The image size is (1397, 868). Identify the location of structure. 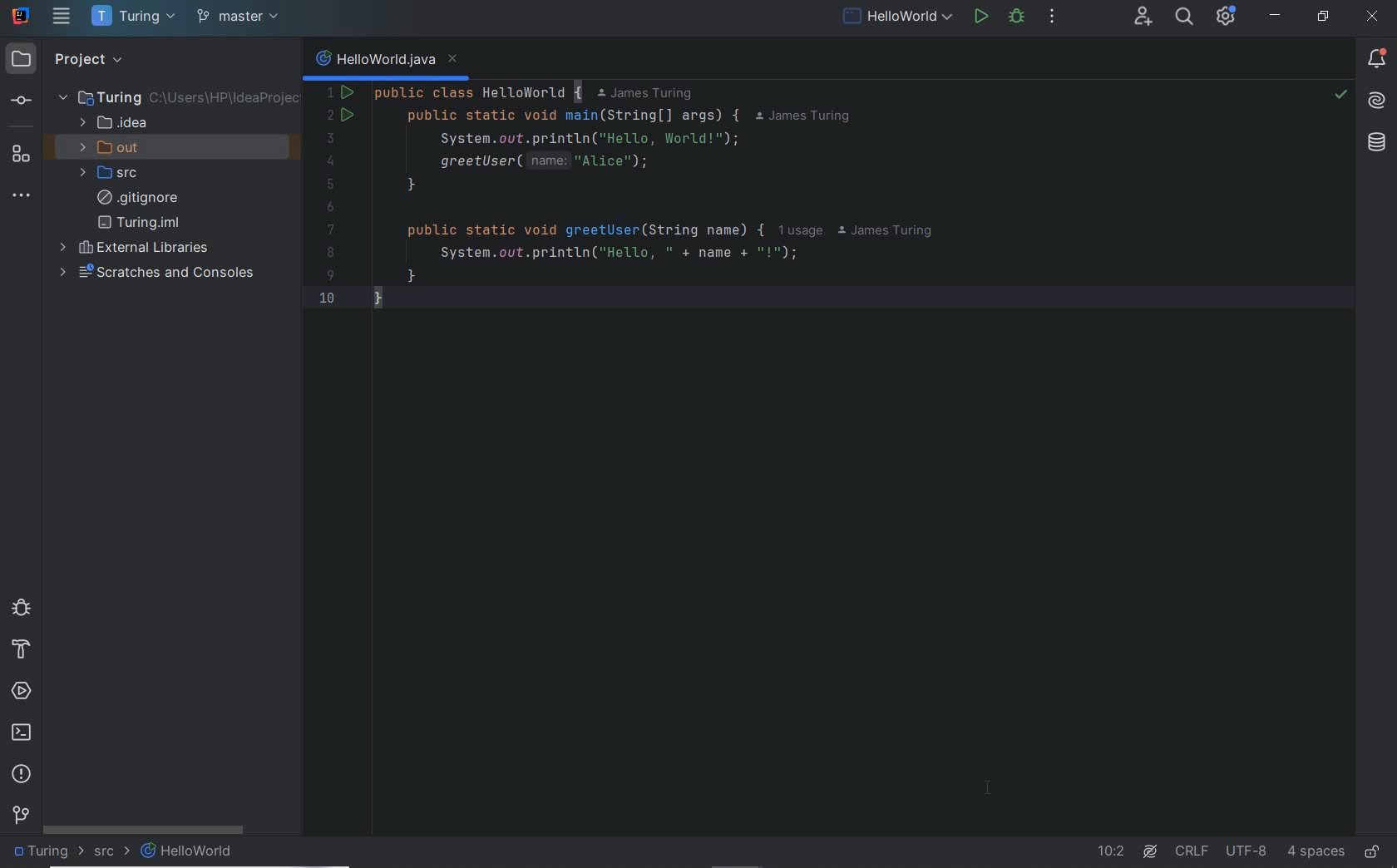
(20, 153).